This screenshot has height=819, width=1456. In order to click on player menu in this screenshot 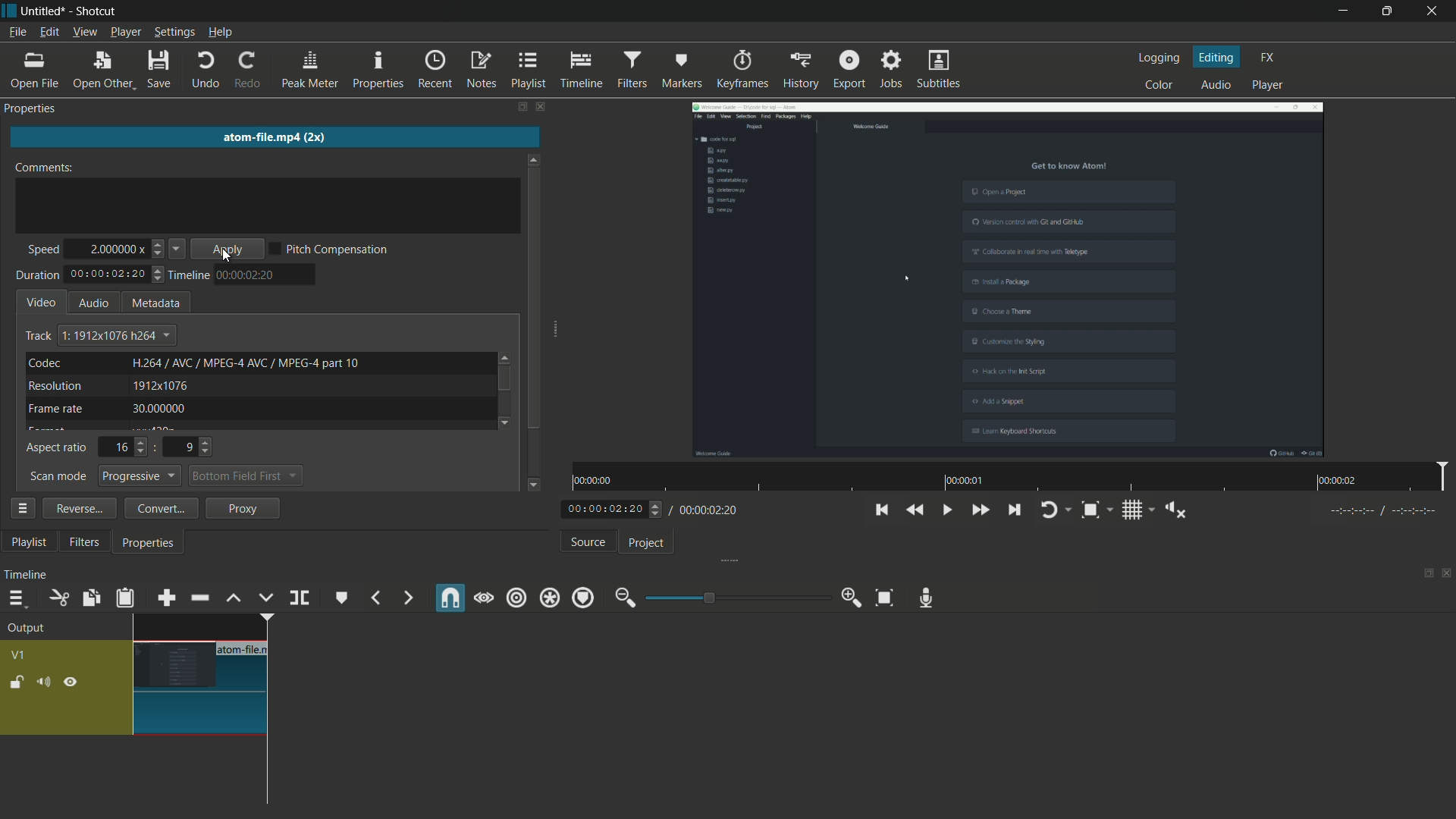, I will do `click(125, 32)`.